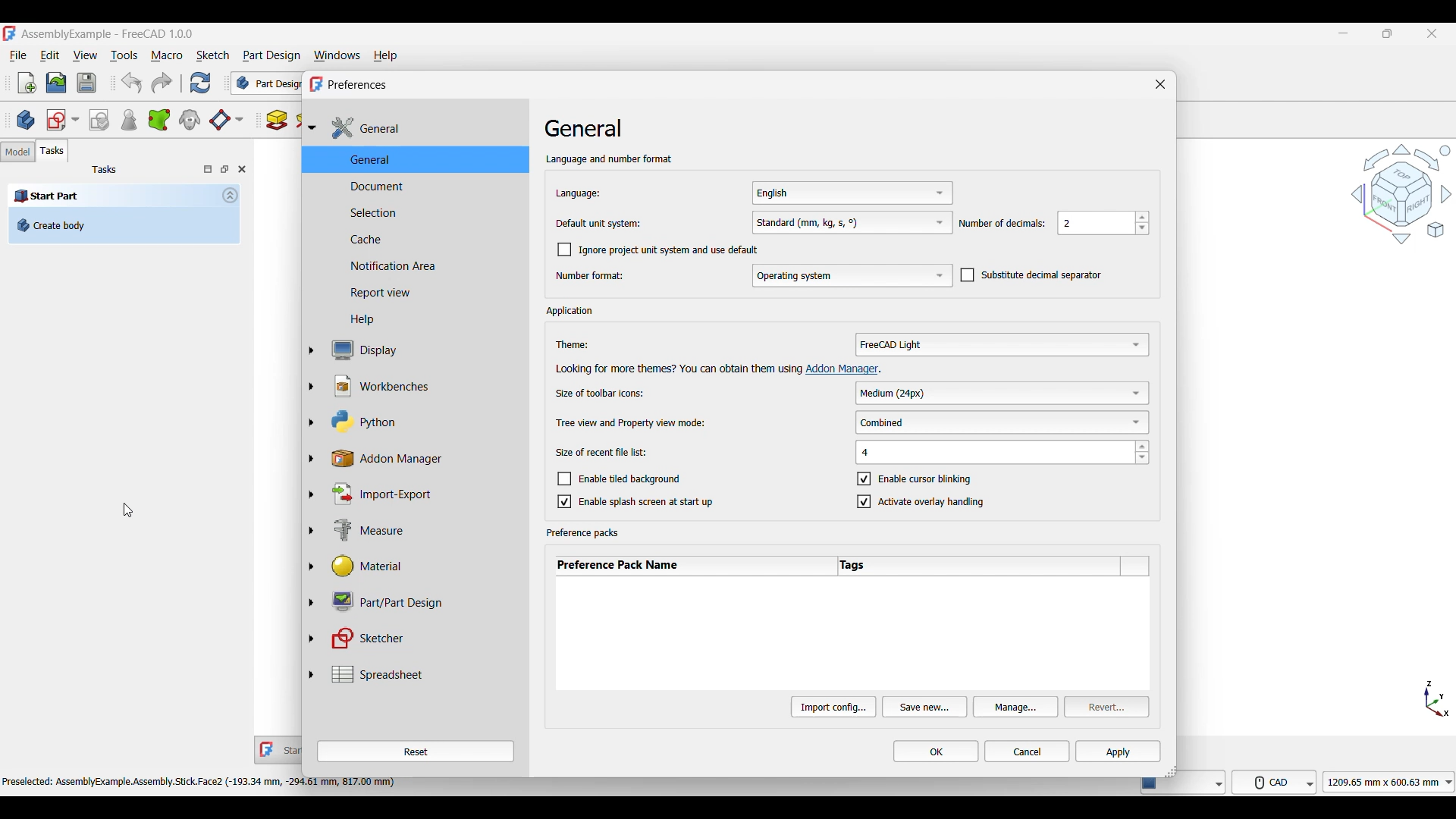 This screenshot has width=1456, height=819. I want to click on Part design, so click(265, 83).